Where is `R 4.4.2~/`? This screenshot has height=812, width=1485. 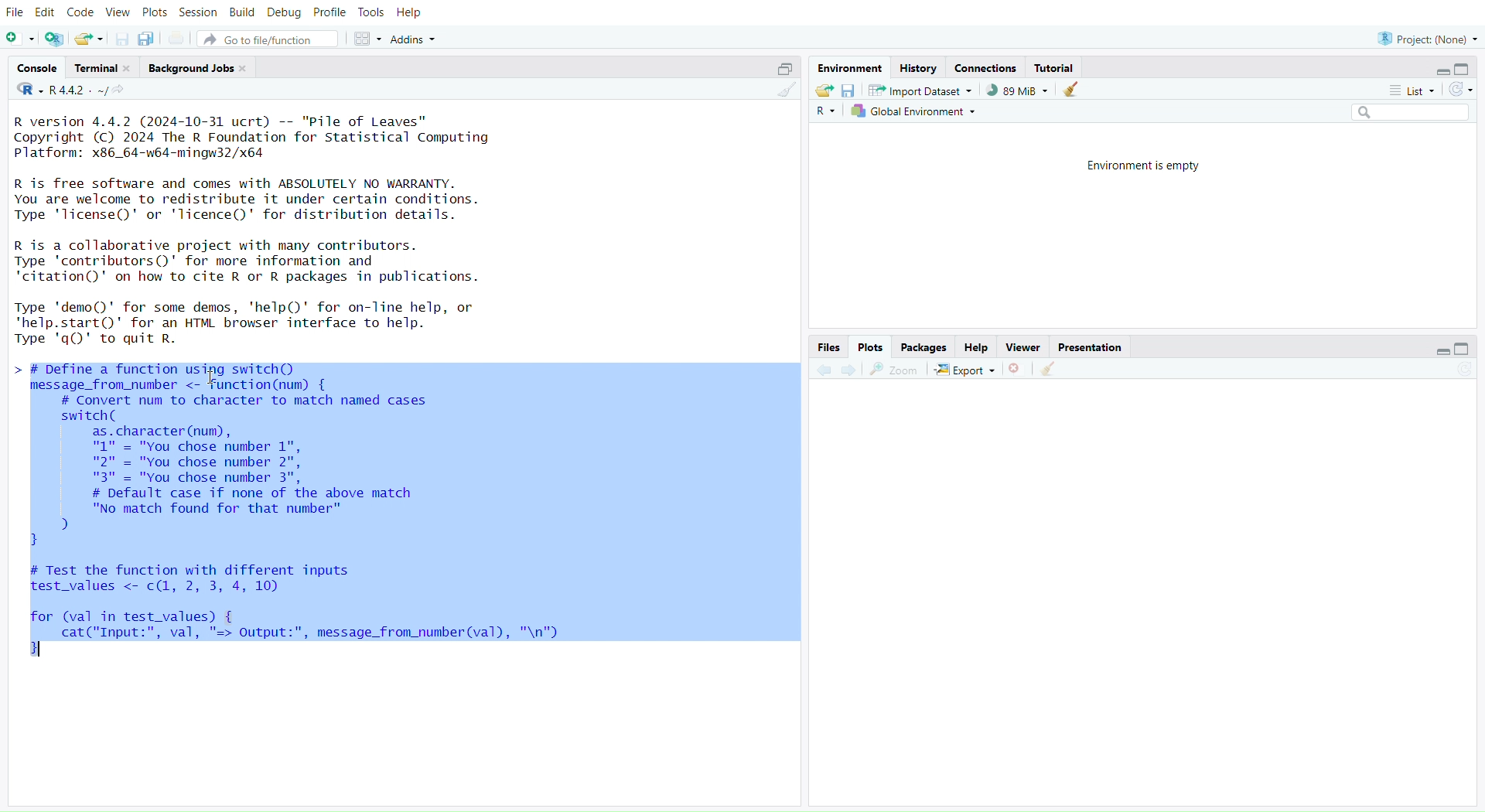
R 4.4.2~/ is located at coordinates (77, 92).